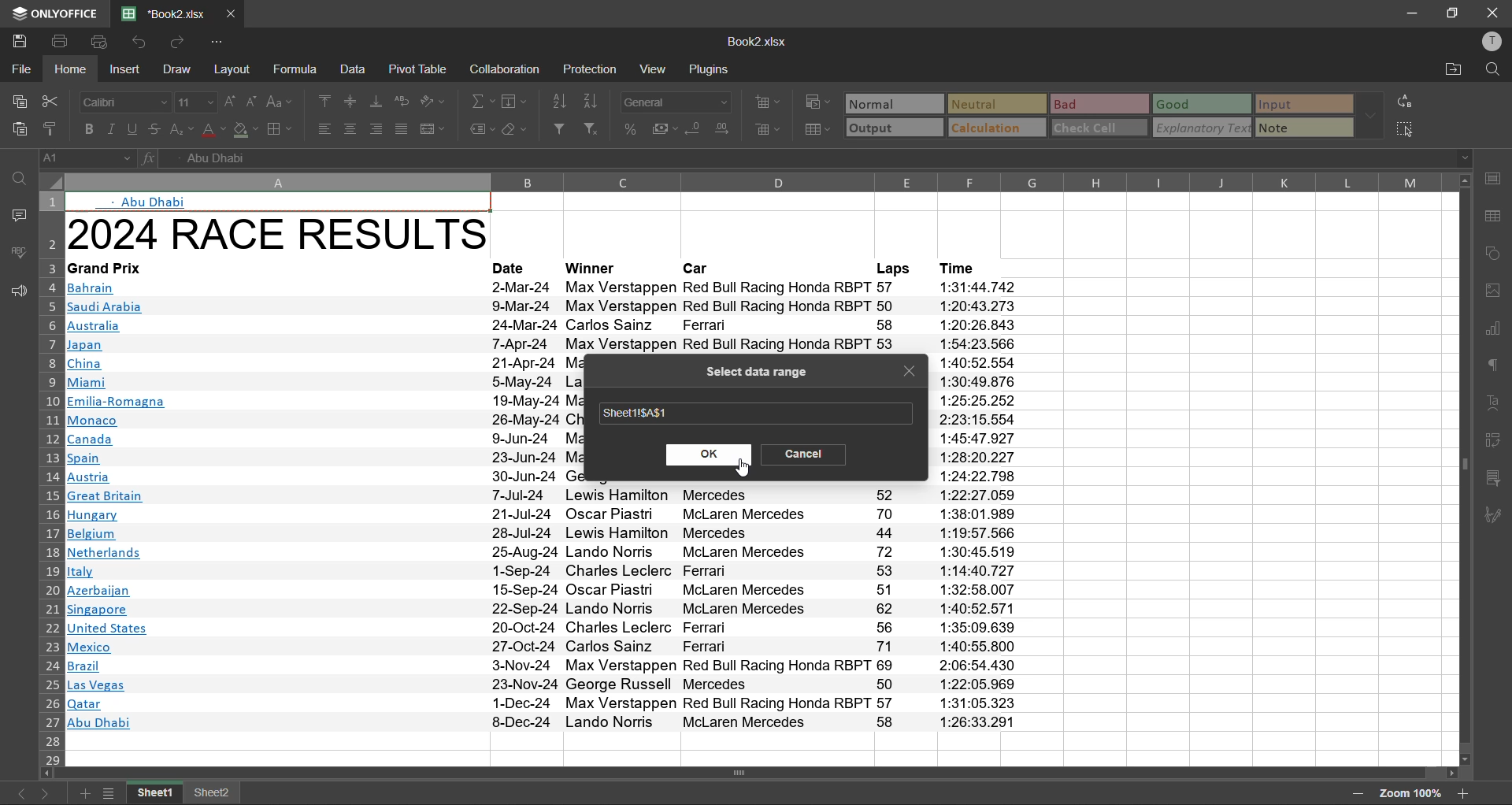 This screenshot has height=805, width=1512. I want to click on charts, so click(1492, 329).